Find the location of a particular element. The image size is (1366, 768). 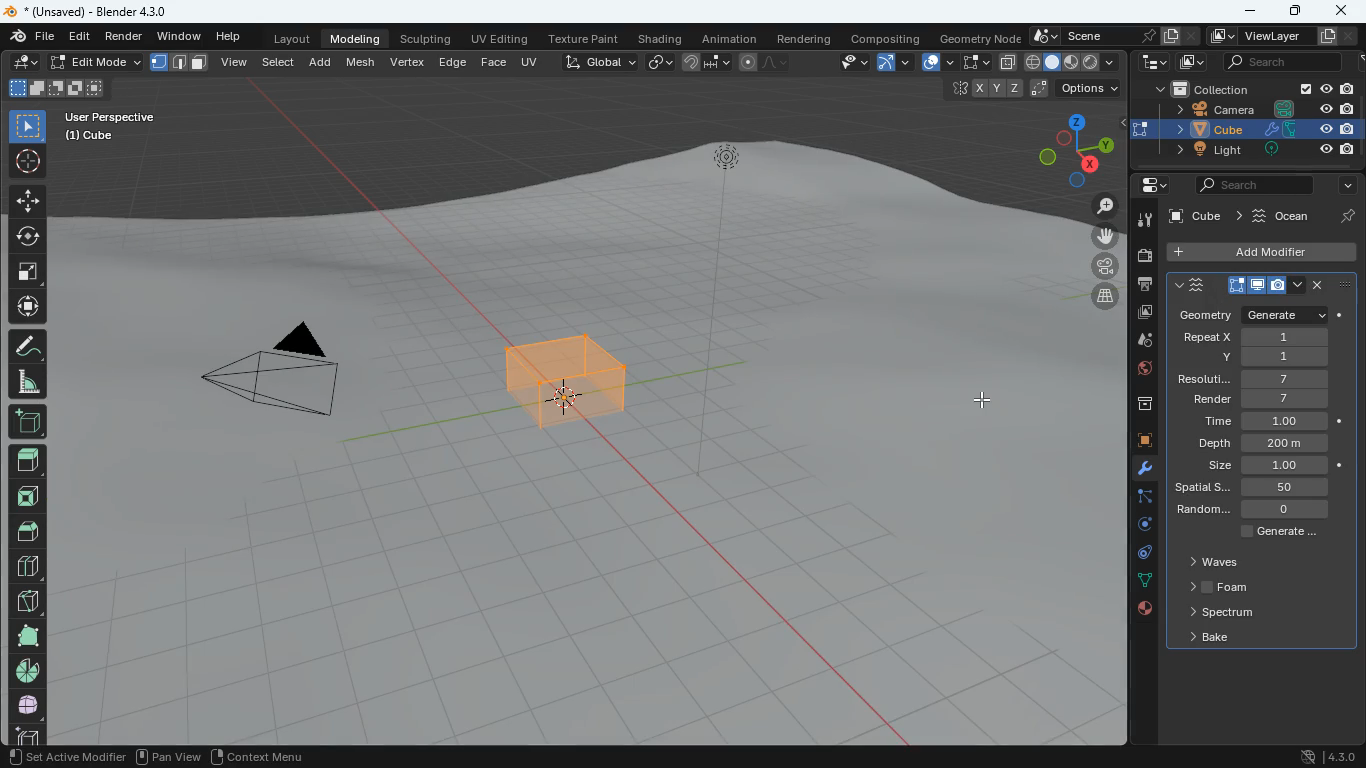

pie is located at coordinates (30, 671).